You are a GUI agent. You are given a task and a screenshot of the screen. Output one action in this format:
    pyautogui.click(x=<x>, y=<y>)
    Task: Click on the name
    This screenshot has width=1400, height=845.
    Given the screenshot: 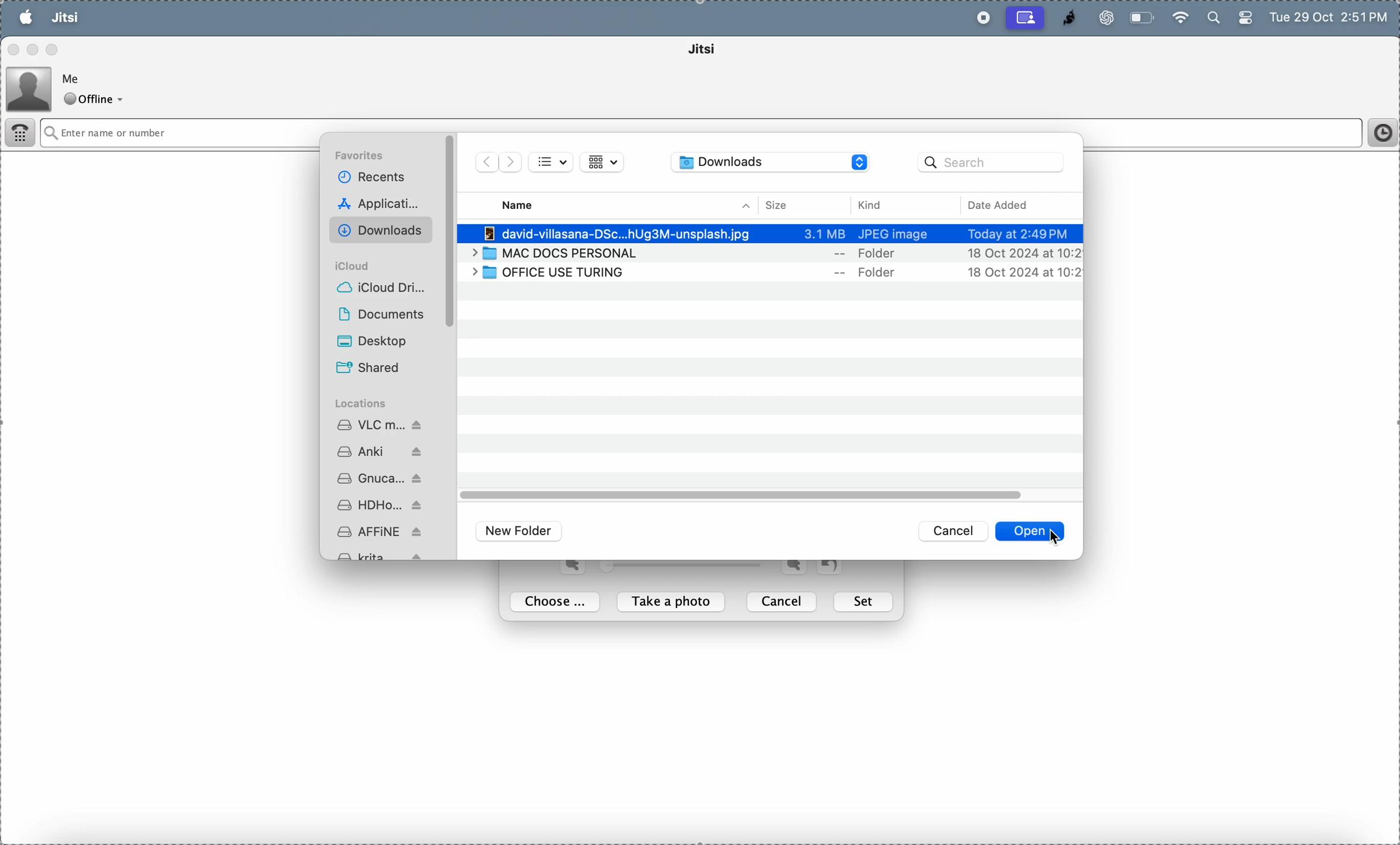 What is the action you would take?
    pyautogui.click(x=526, y=204)
    